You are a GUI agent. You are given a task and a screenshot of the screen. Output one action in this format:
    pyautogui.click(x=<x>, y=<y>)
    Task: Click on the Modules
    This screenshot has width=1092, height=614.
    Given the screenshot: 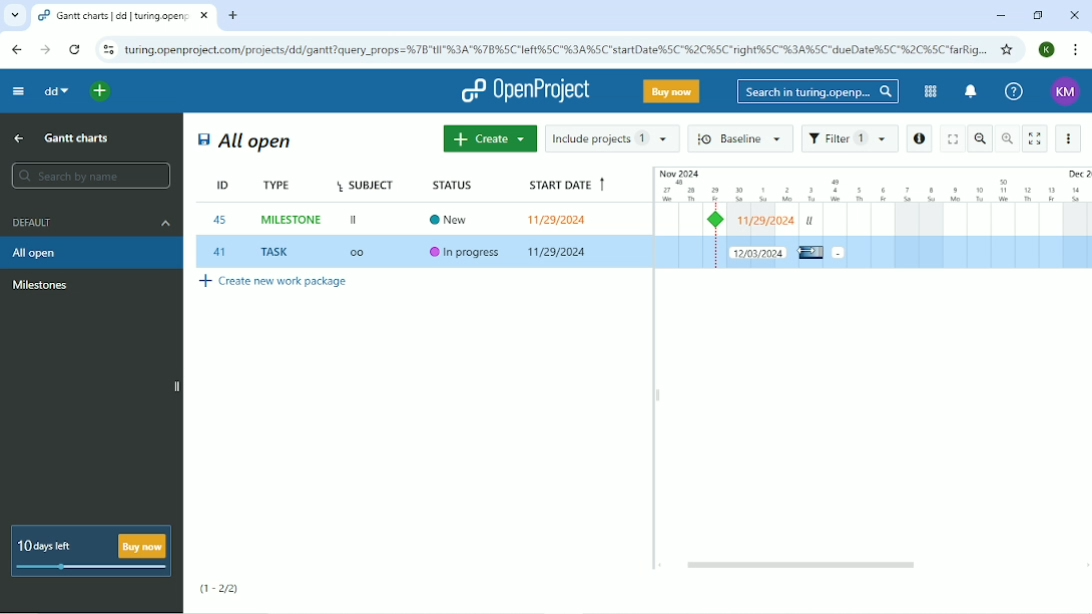 What is the action you would take?
    pyautogui.click(x=929, y=91)
    